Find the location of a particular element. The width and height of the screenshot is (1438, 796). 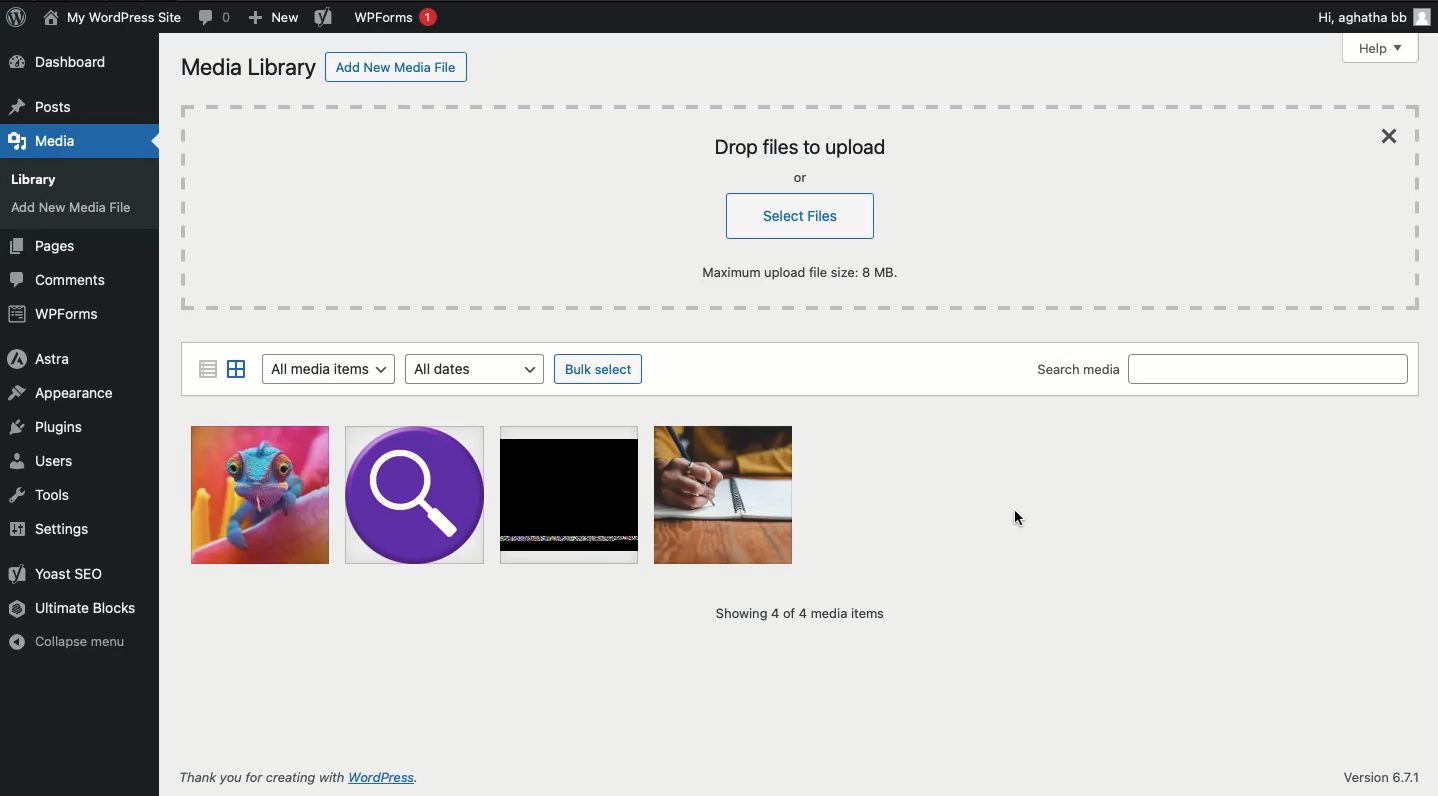

Thank you for creating with WordPress is located at coordinates (300, 779).